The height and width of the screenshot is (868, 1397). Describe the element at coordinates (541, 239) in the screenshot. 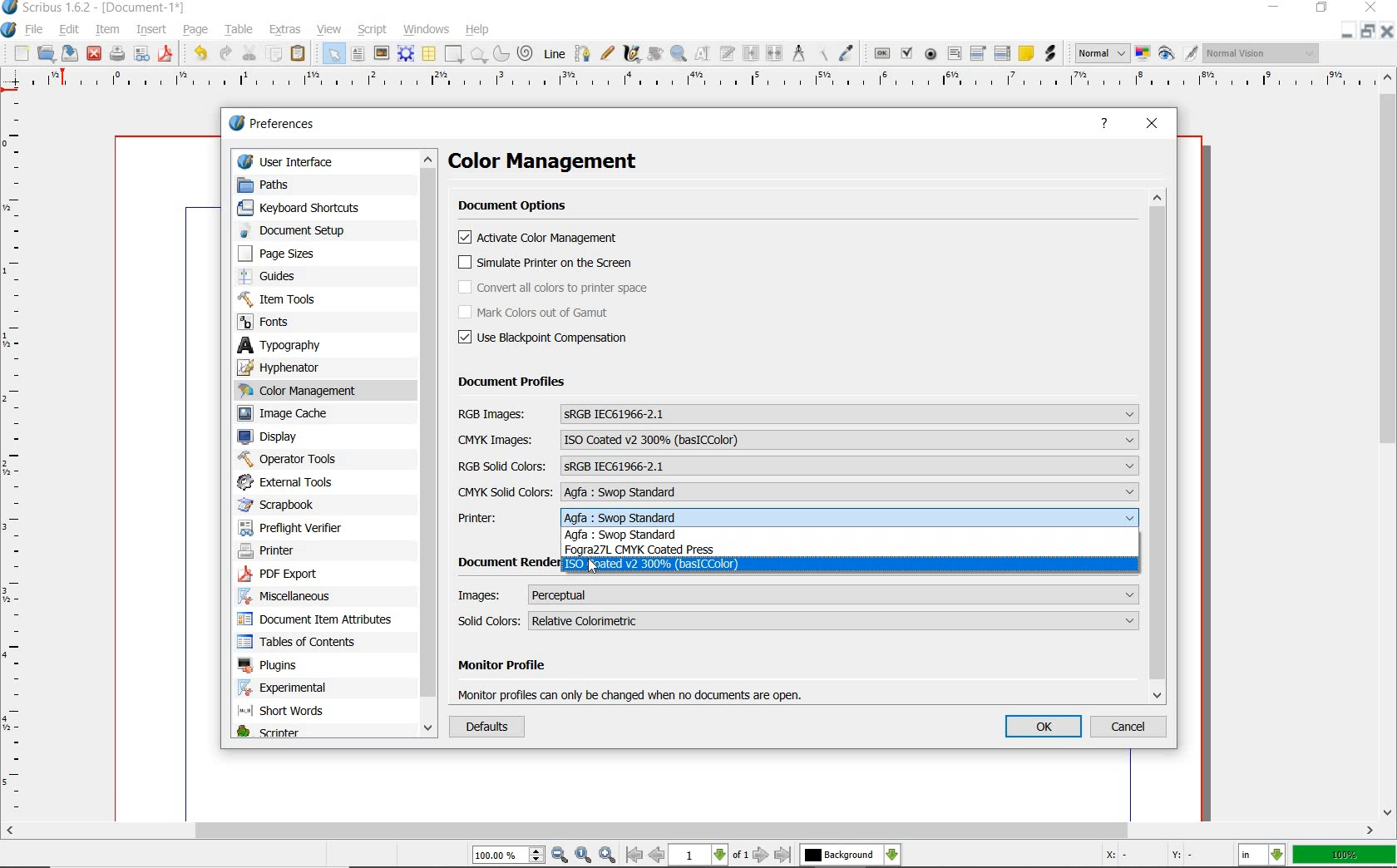

I see `activate color management` at that location.